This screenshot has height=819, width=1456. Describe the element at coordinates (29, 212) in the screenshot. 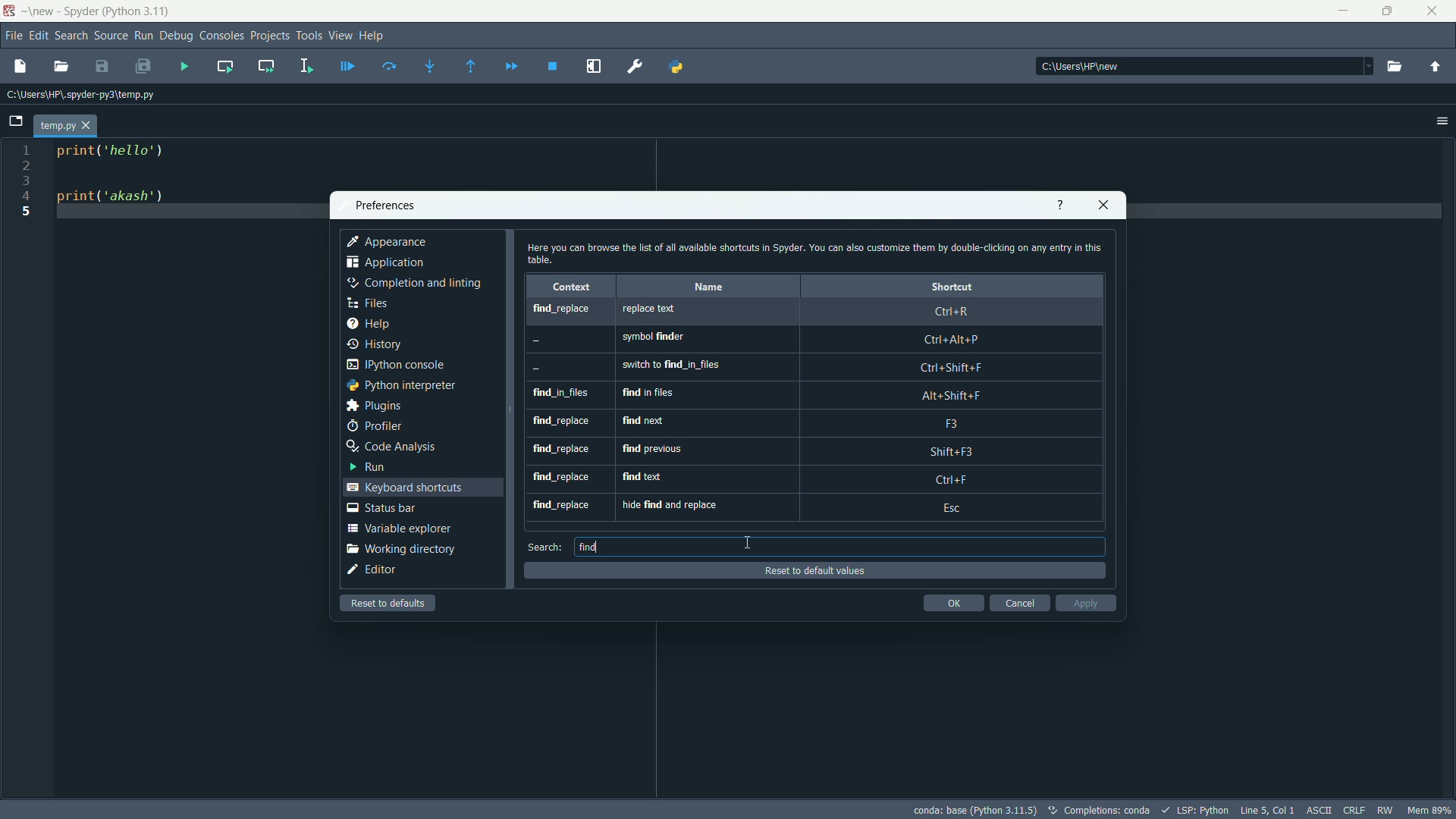

I see `5` at that location.